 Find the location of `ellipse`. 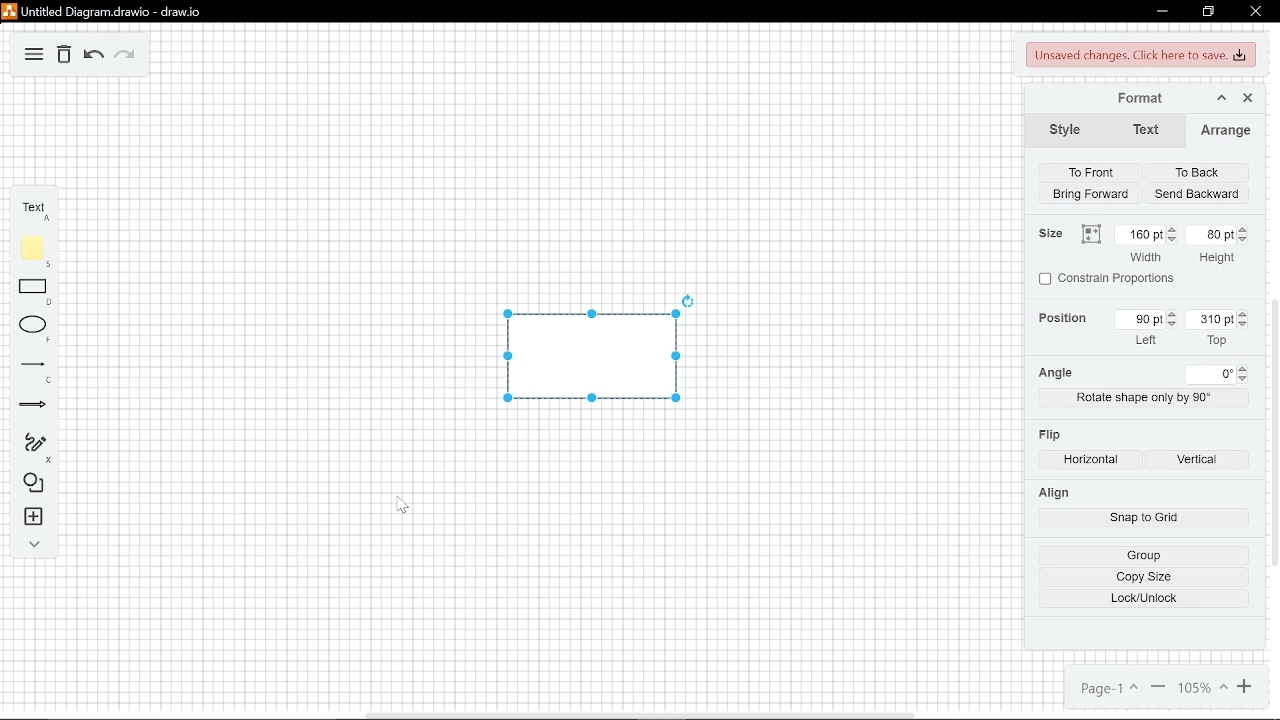

ellipse is located at coordinates (37, 330).